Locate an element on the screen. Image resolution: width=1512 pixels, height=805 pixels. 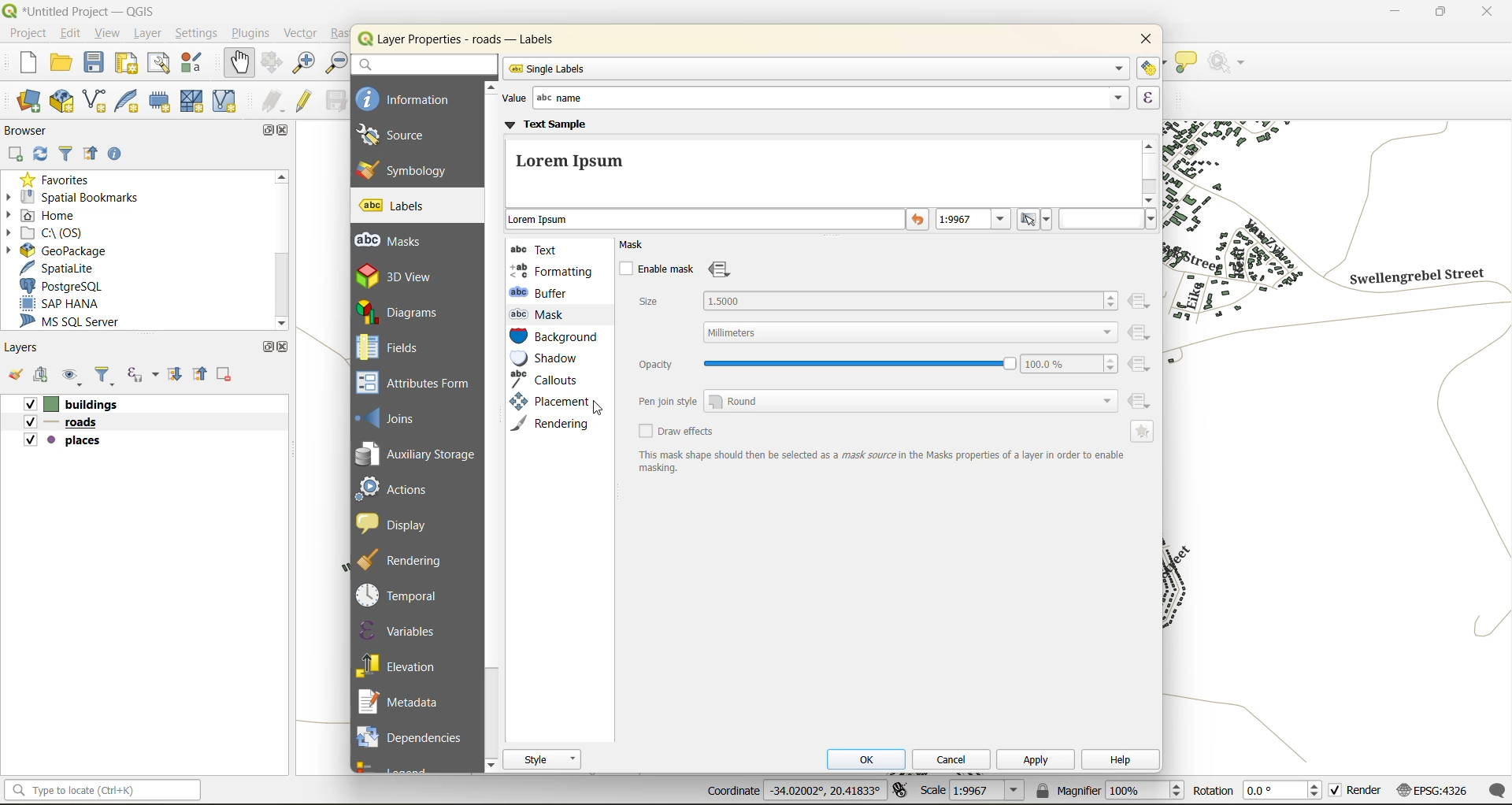
render is located at coordinates (1354, 789).